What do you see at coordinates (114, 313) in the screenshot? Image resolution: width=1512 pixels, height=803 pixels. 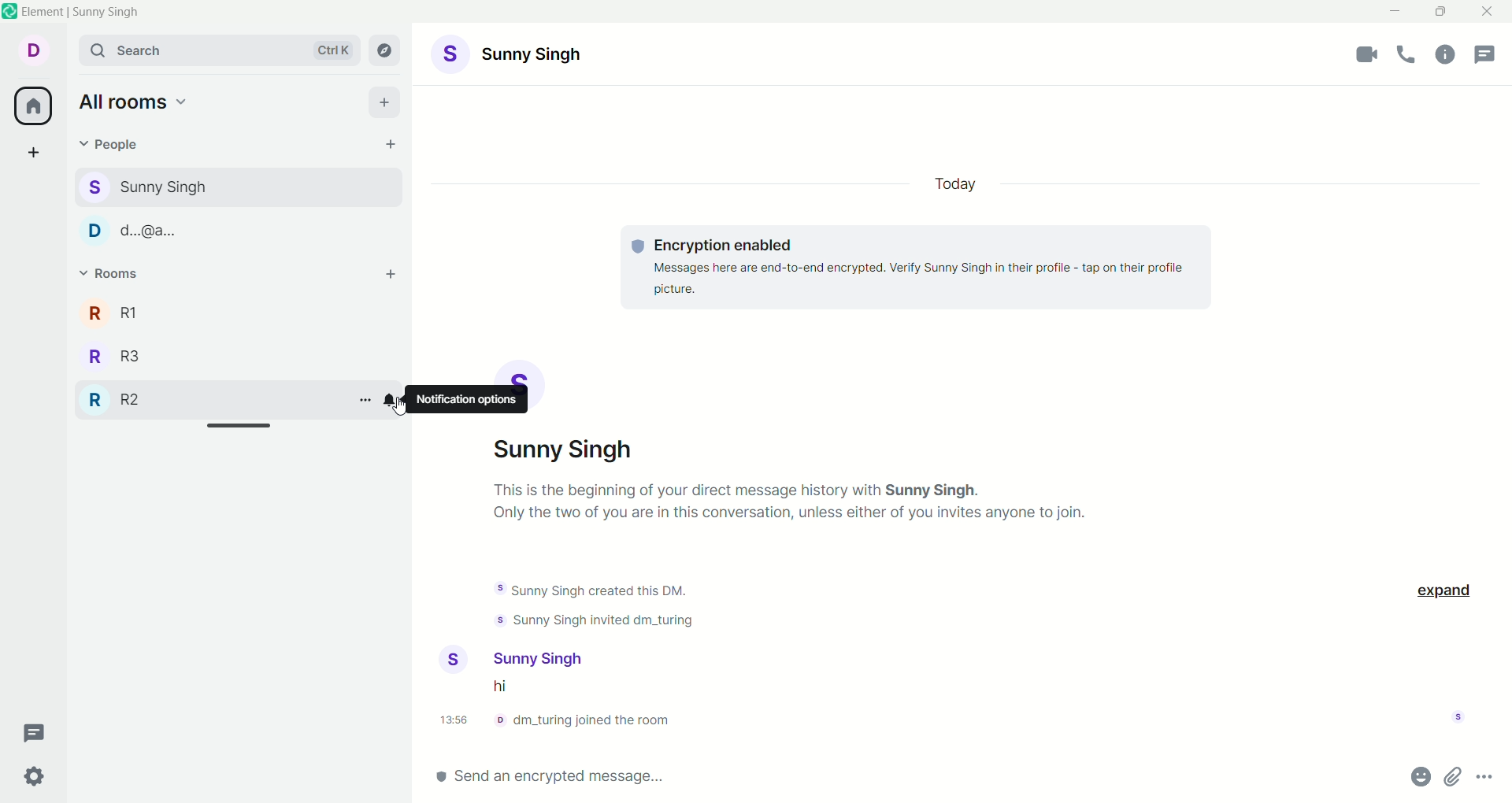 I see `R1` at bounding box center [114, 313].